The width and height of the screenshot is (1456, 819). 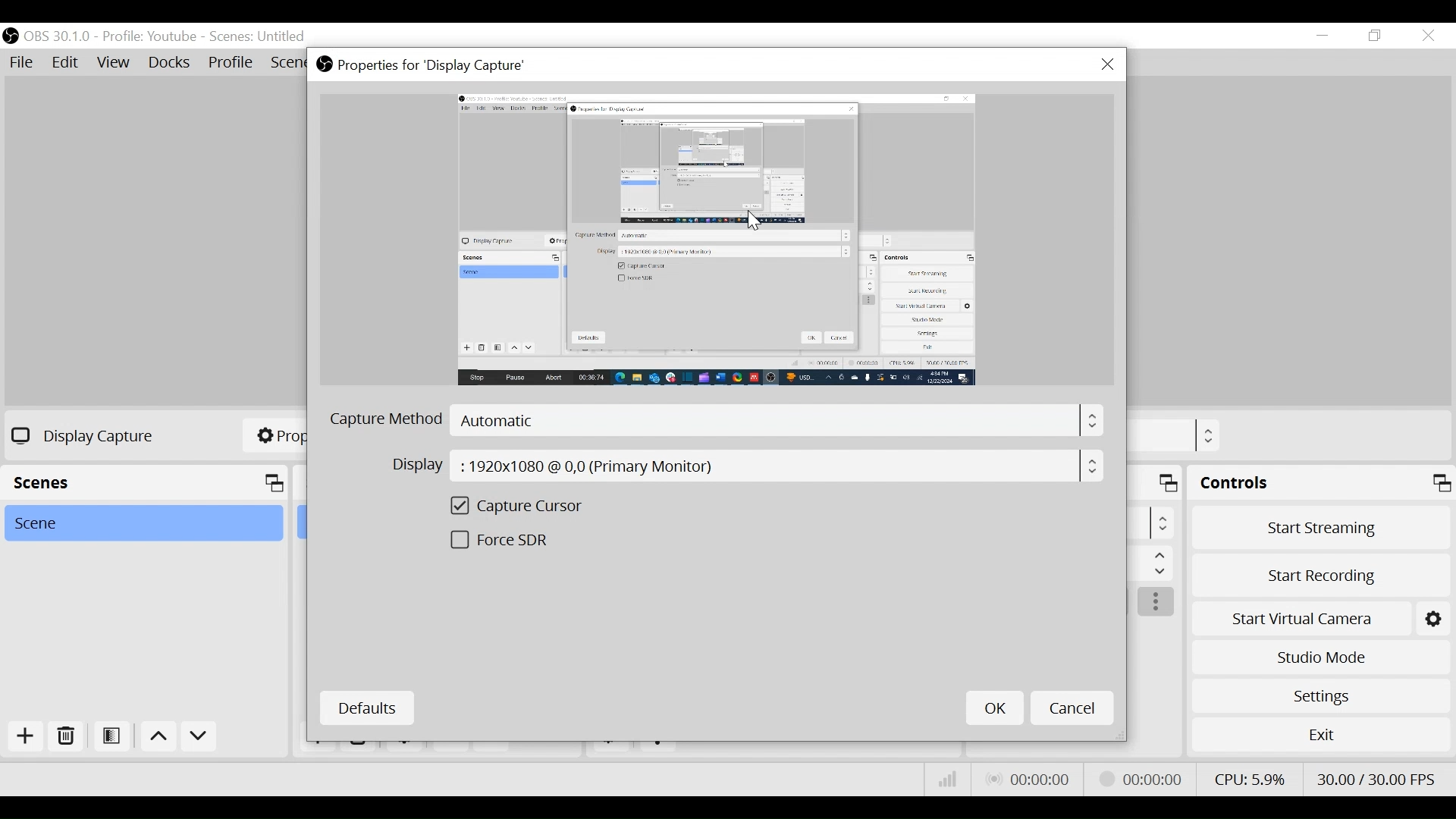 I want to click on Frame Per Second, so click(x=1375, y=779).